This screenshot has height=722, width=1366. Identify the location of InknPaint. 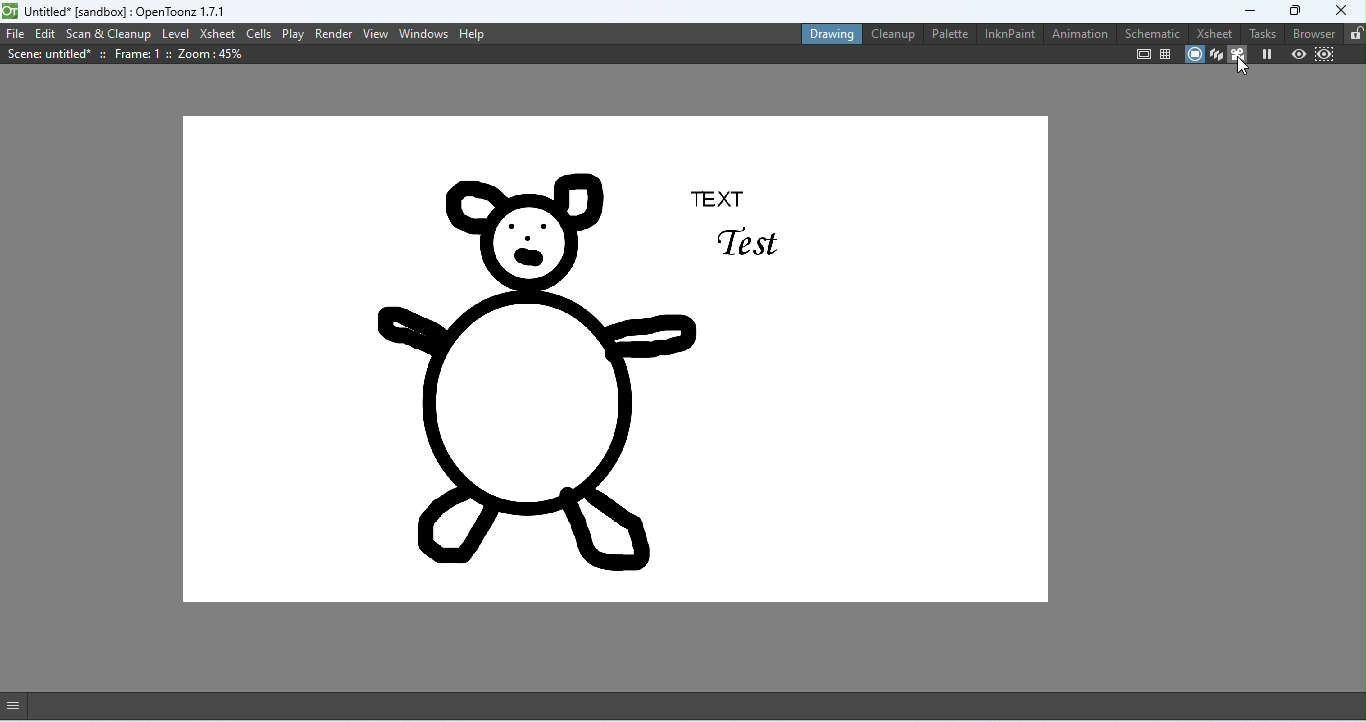
(1010, 35).